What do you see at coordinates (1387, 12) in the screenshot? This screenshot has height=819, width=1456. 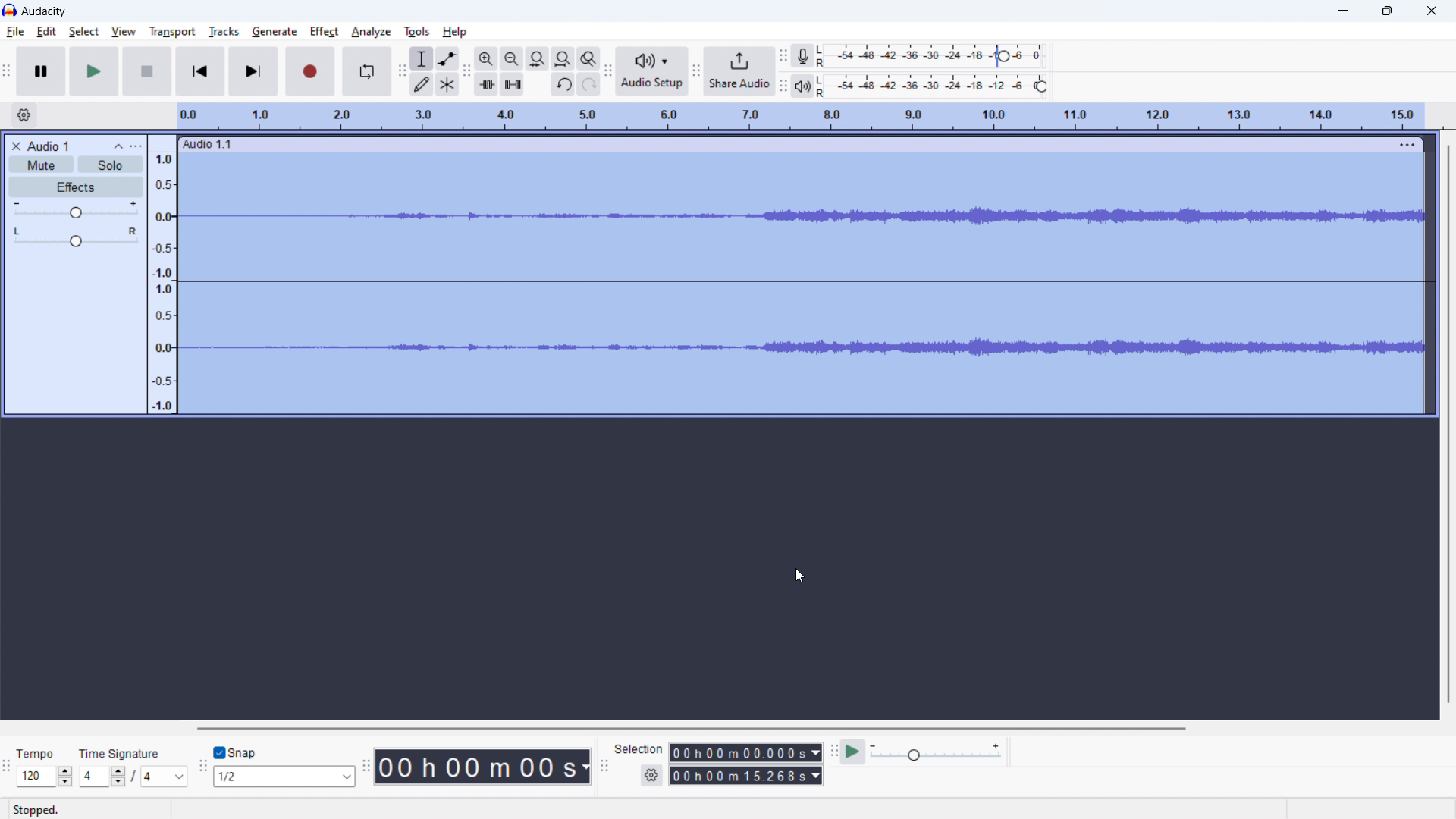 I see `maximize` at bounding box center [1387, 12].